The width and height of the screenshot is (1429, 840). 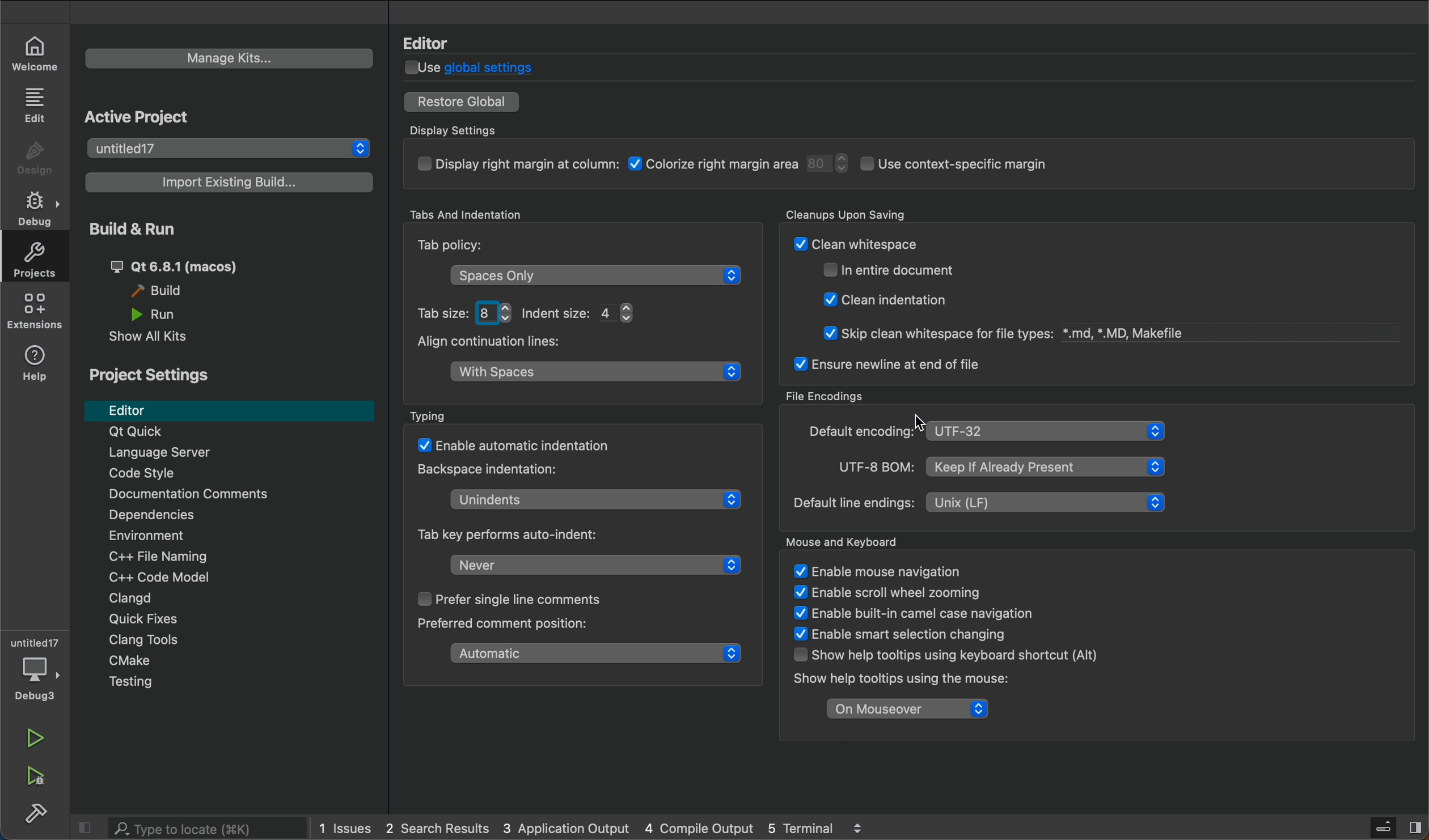 What do you see at coordinates (701, 827) in the screenshot?
I see `compile output` at bounding box center [701, 827].